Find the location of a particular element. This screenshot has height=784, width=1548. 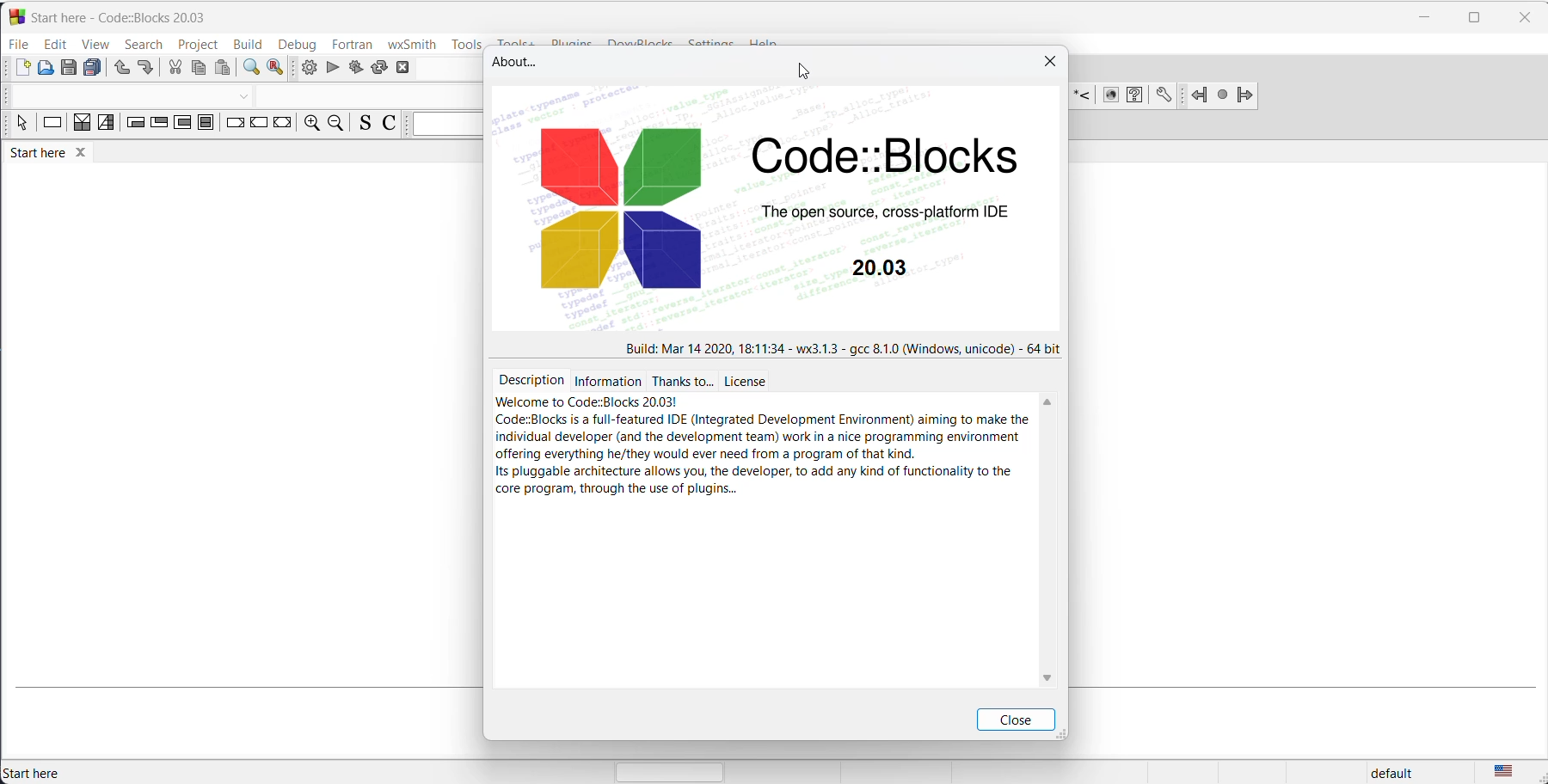

build and run is located at coordinates (355, 70).